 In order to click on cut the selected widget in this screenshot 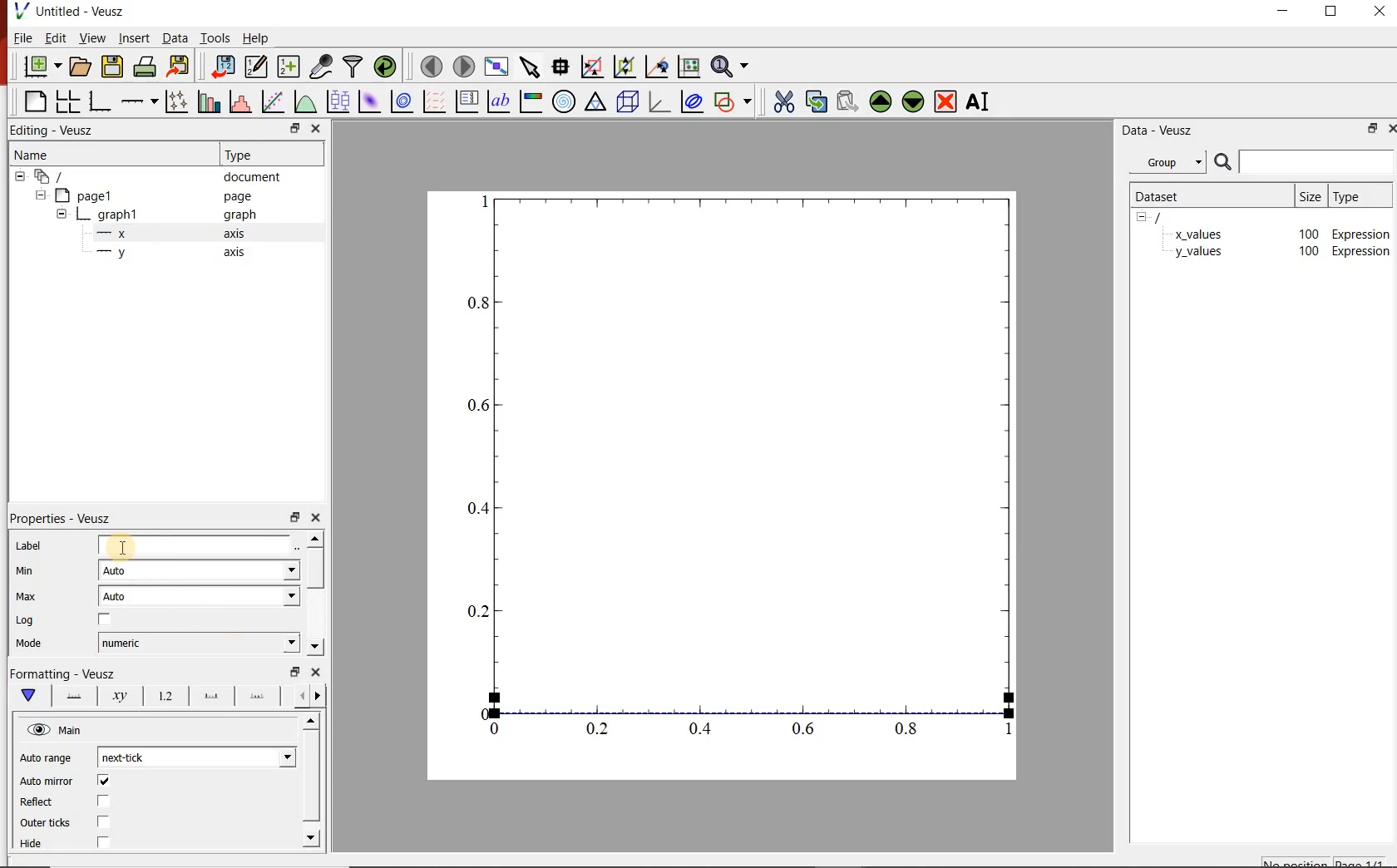, I will do `click(785, 103)`.